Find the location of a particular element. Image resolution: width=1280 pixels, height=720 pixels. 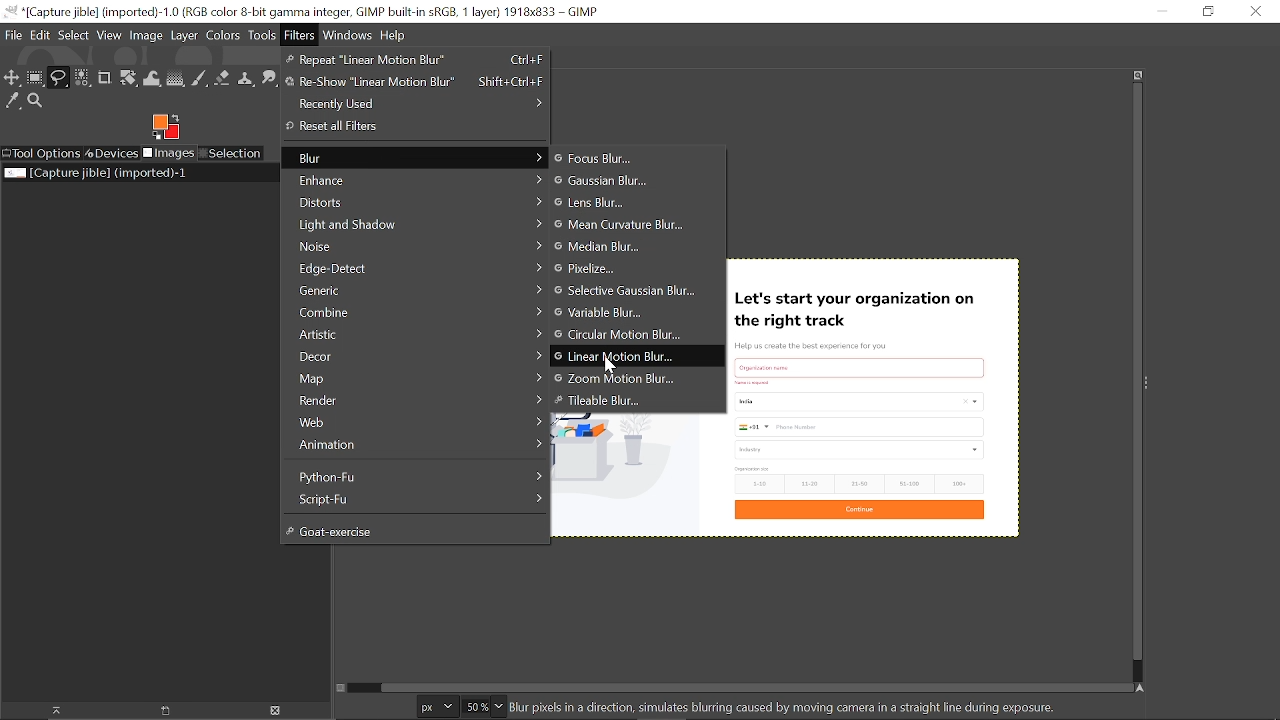

Reset all Filters is located at coordinates (401, 127).